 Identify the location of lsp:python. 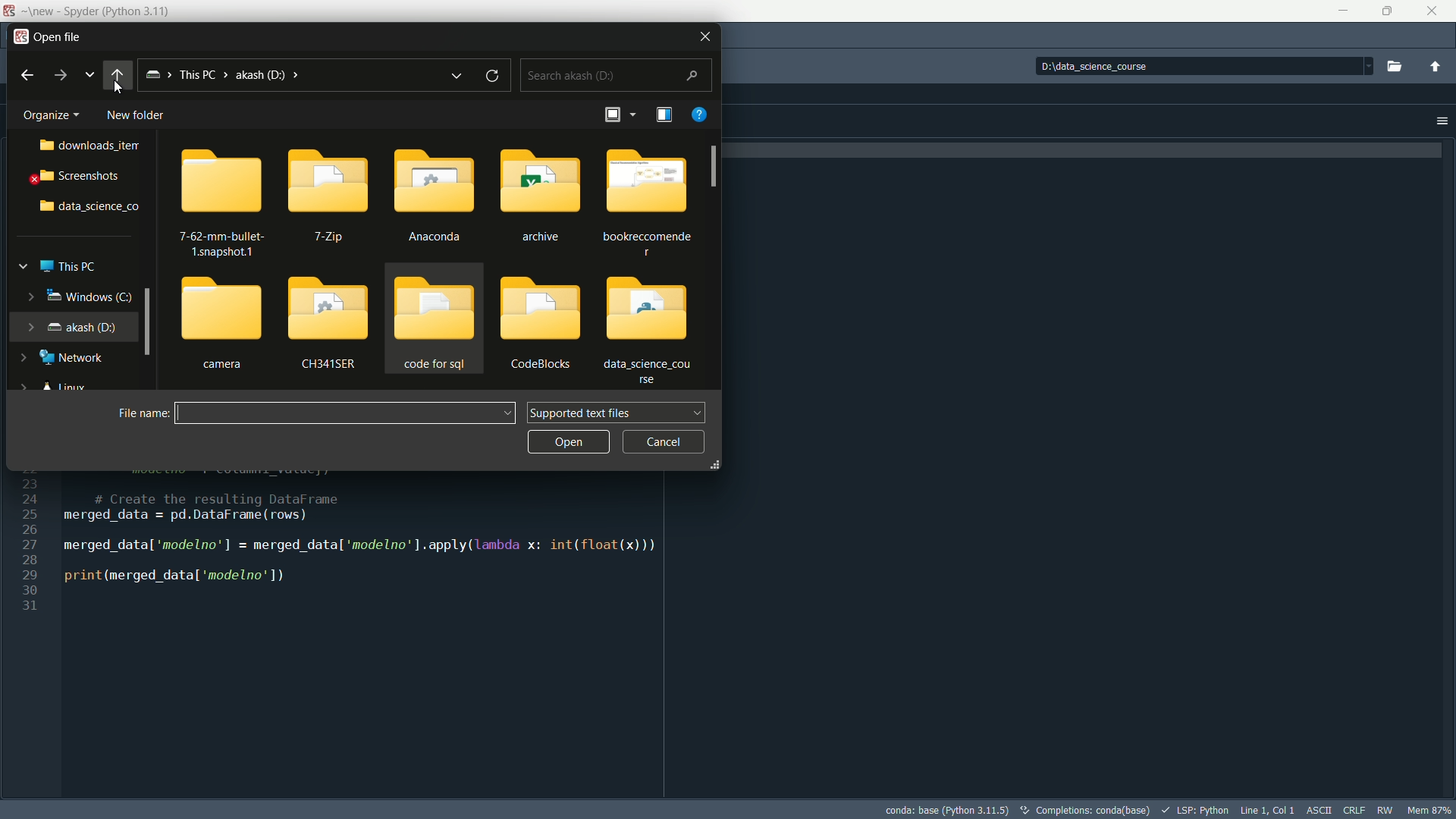
(1194, 809).